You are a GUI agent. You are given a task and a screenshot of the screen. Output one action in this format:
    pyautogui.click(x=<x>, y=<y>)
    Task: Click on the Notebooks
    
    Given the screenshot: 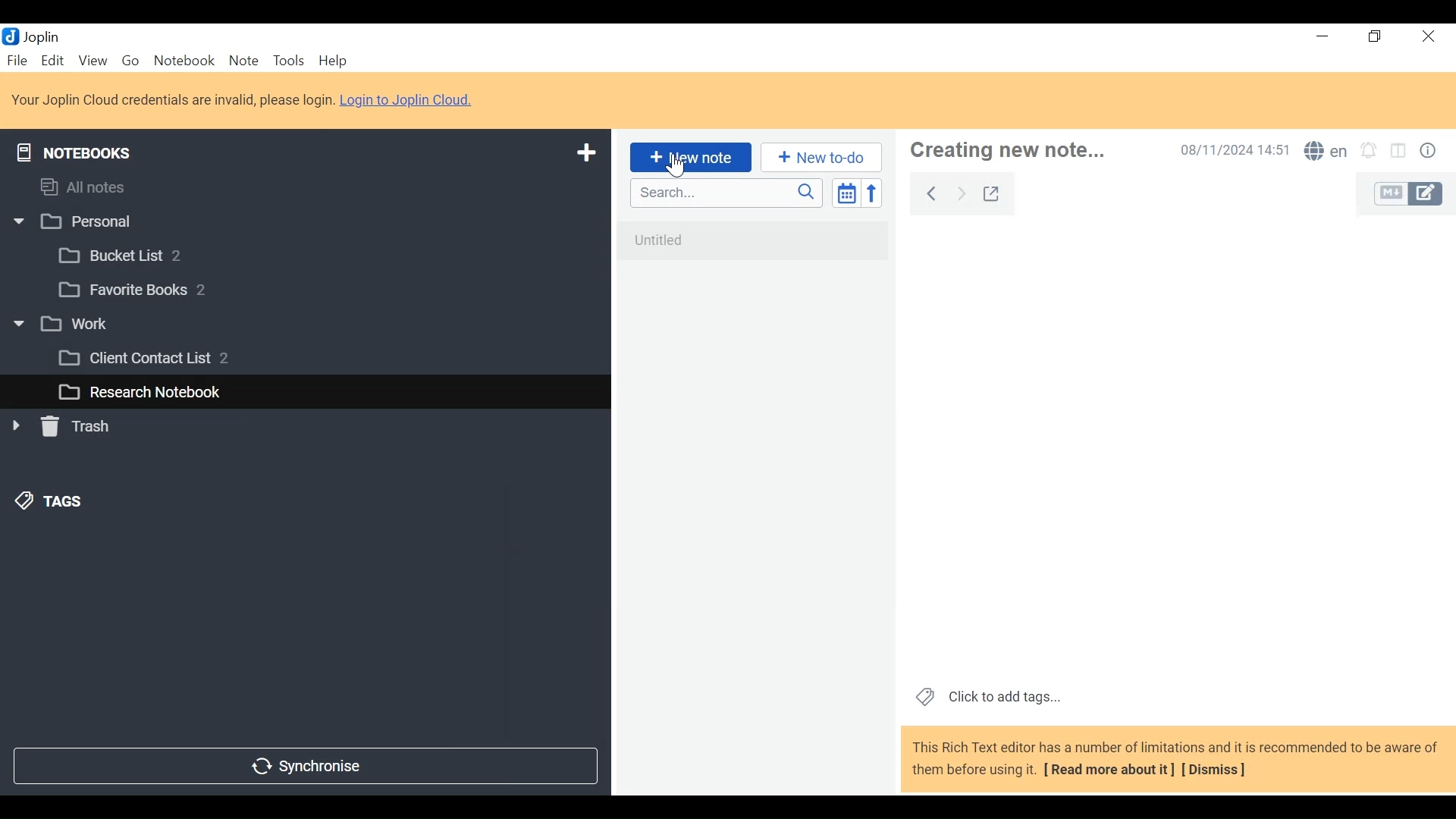 What is the action you would take?
    pyautogui.click(x=85, y=149)
    